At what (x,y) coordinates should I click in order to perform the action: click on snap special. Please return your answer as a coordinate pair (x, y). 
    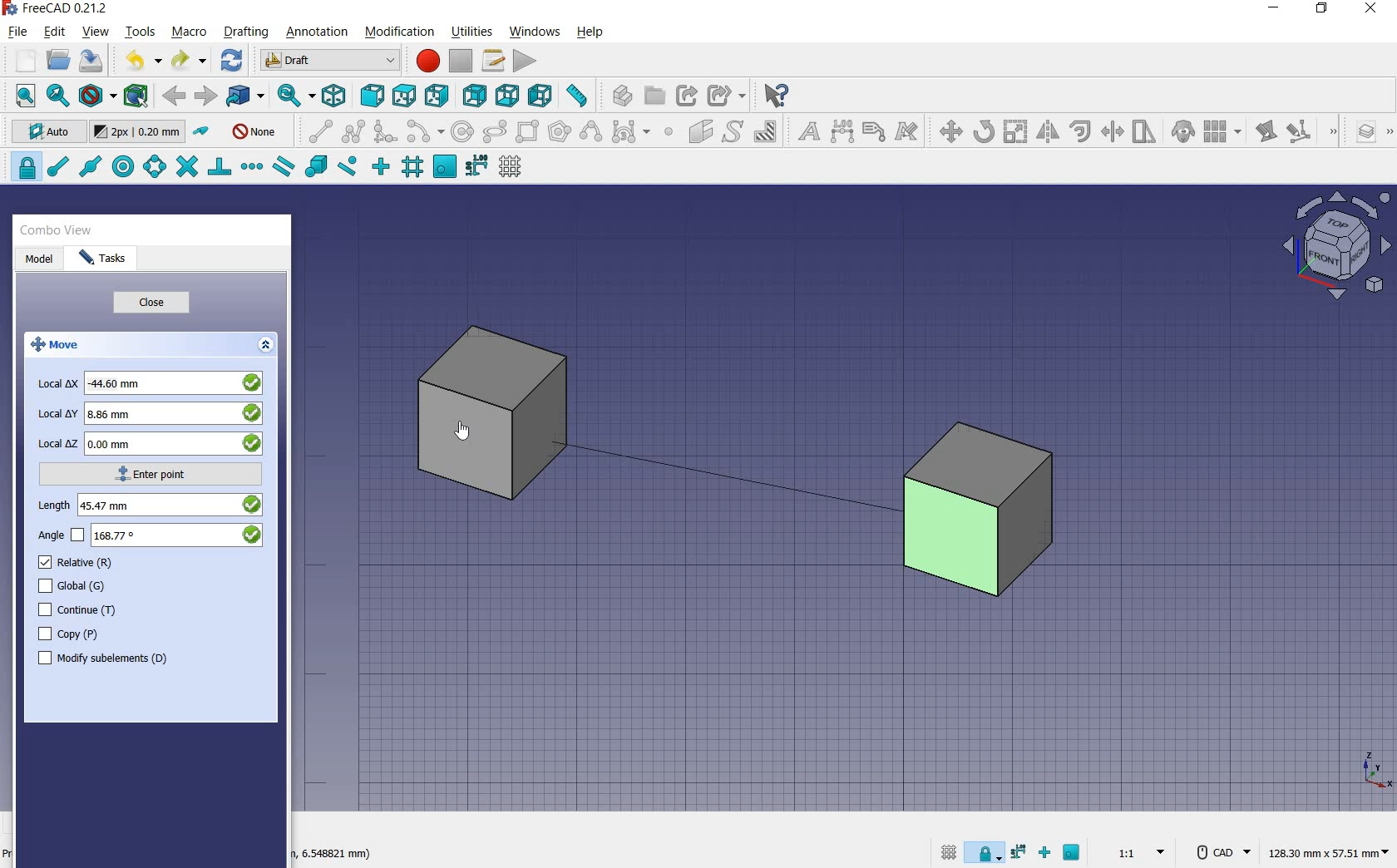
    Looking at the image, I should click on (316, 166).